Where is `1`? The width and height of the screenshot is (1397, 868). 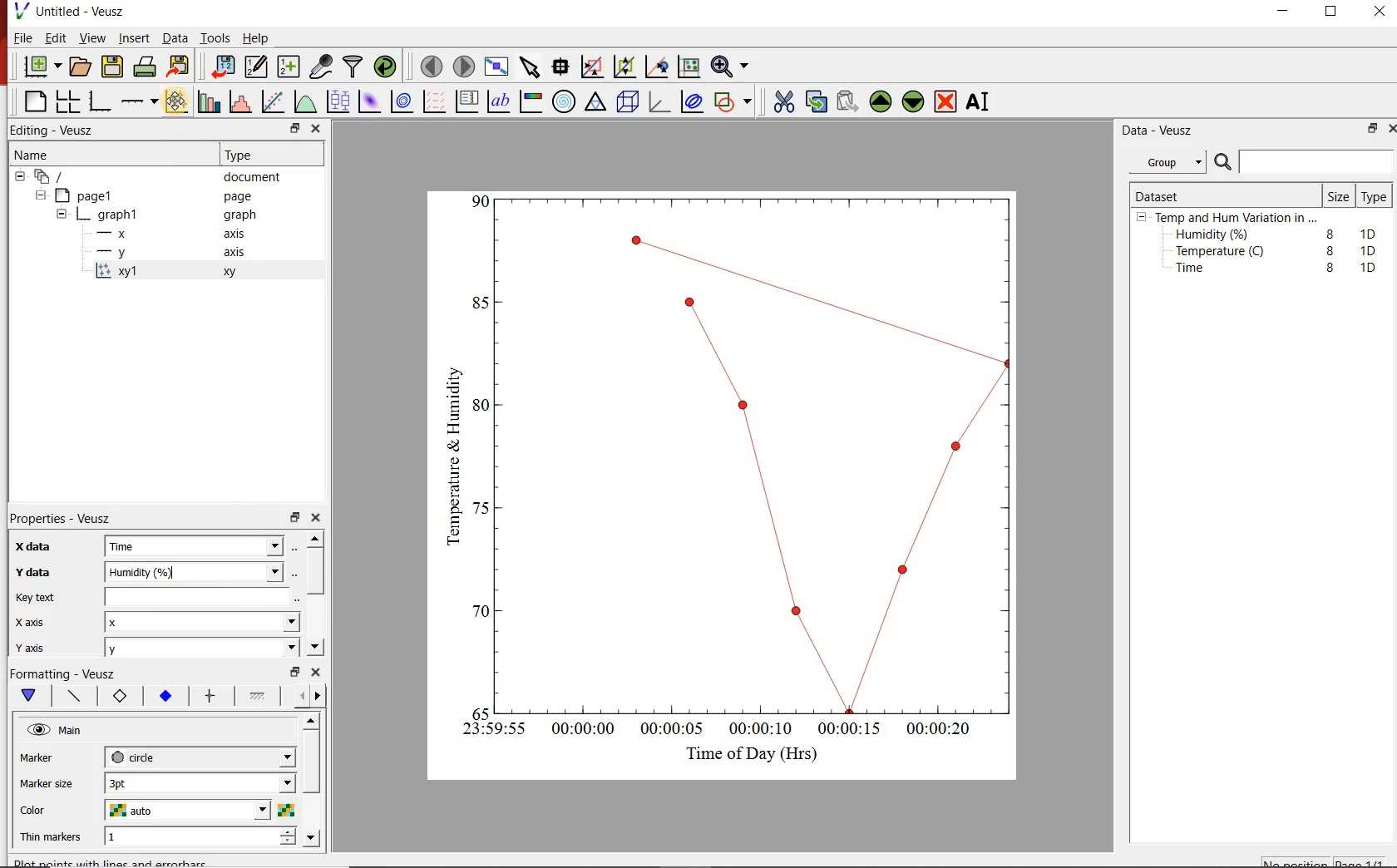
1 is located at coordinates (481, 200).